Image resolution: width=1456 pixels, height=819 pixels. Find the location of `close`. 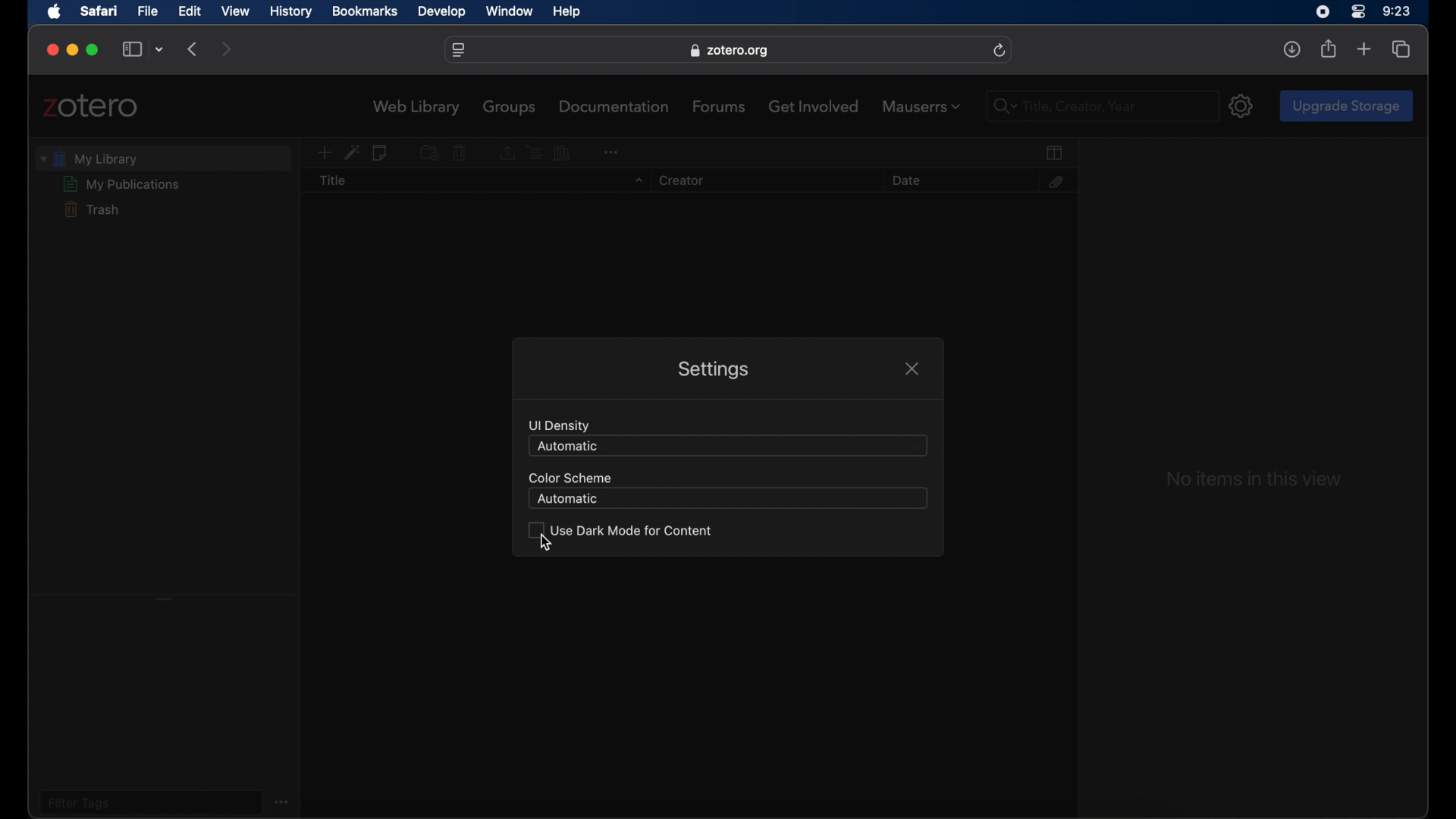

close is located at coordinates (912, 369).